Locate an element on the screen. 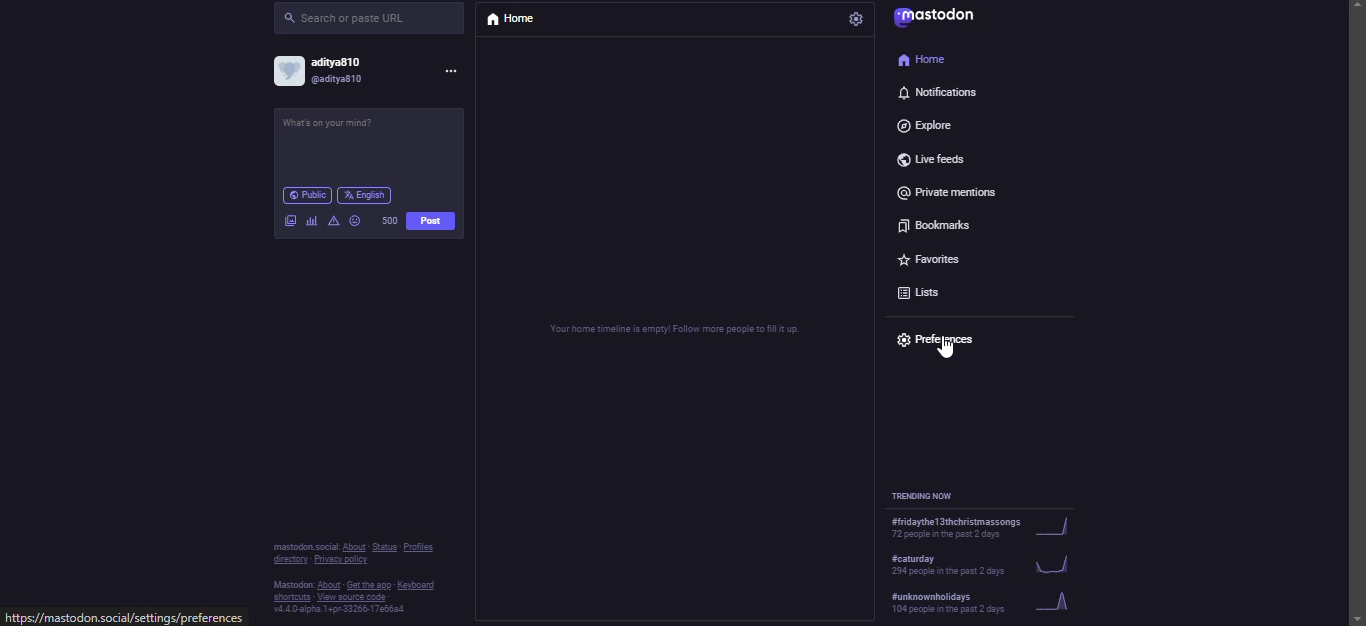  search is located at coordinates (352, 18).